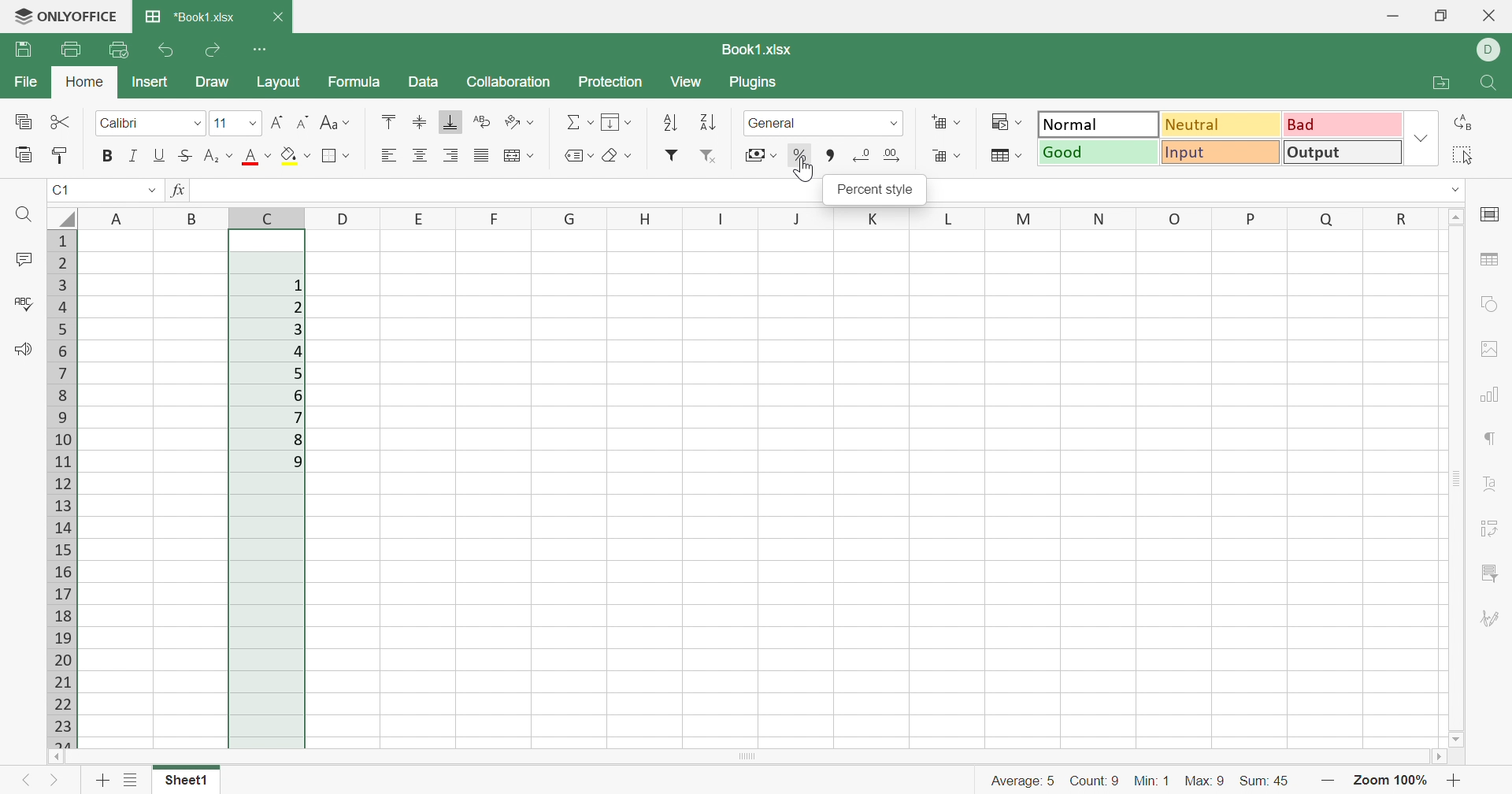 The image size is (1512, 794). I want to click on Find, so click(1492, 84).